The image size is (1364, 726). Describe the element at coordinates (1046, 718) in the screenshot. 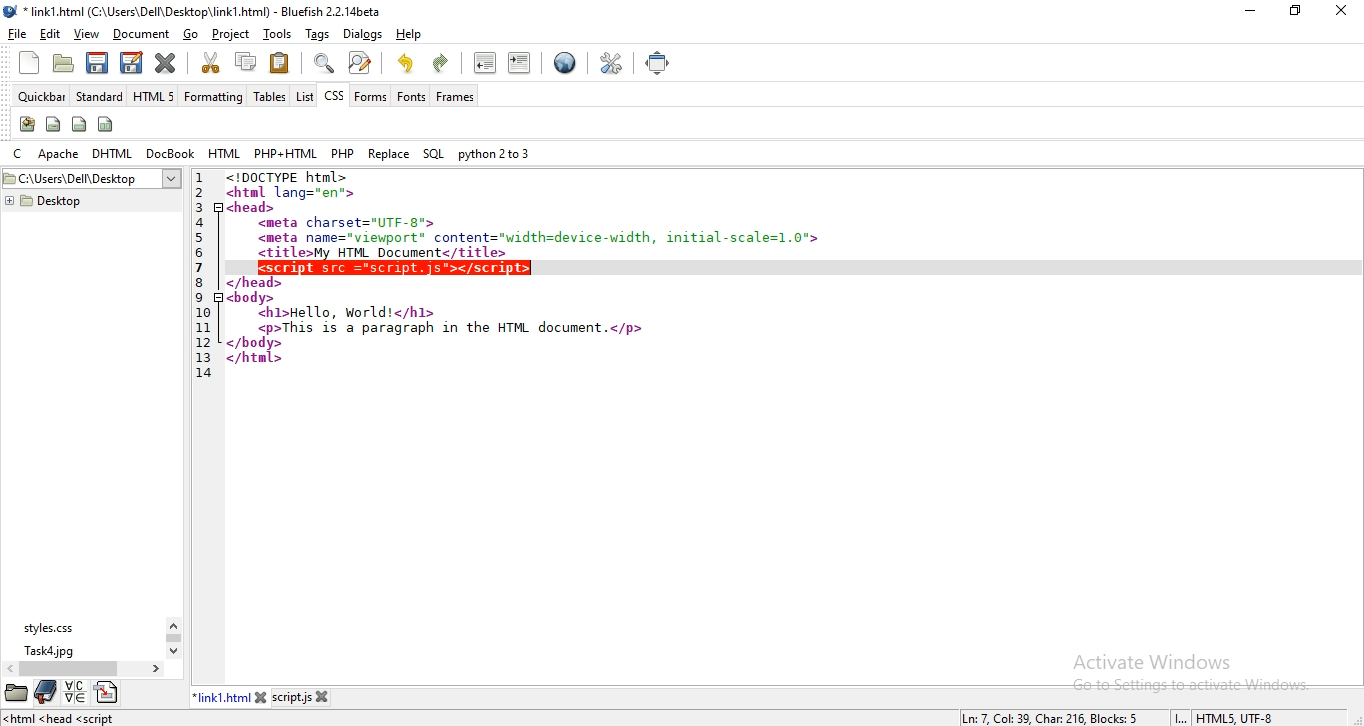

I see `line, column, character, block numbers` at that location.